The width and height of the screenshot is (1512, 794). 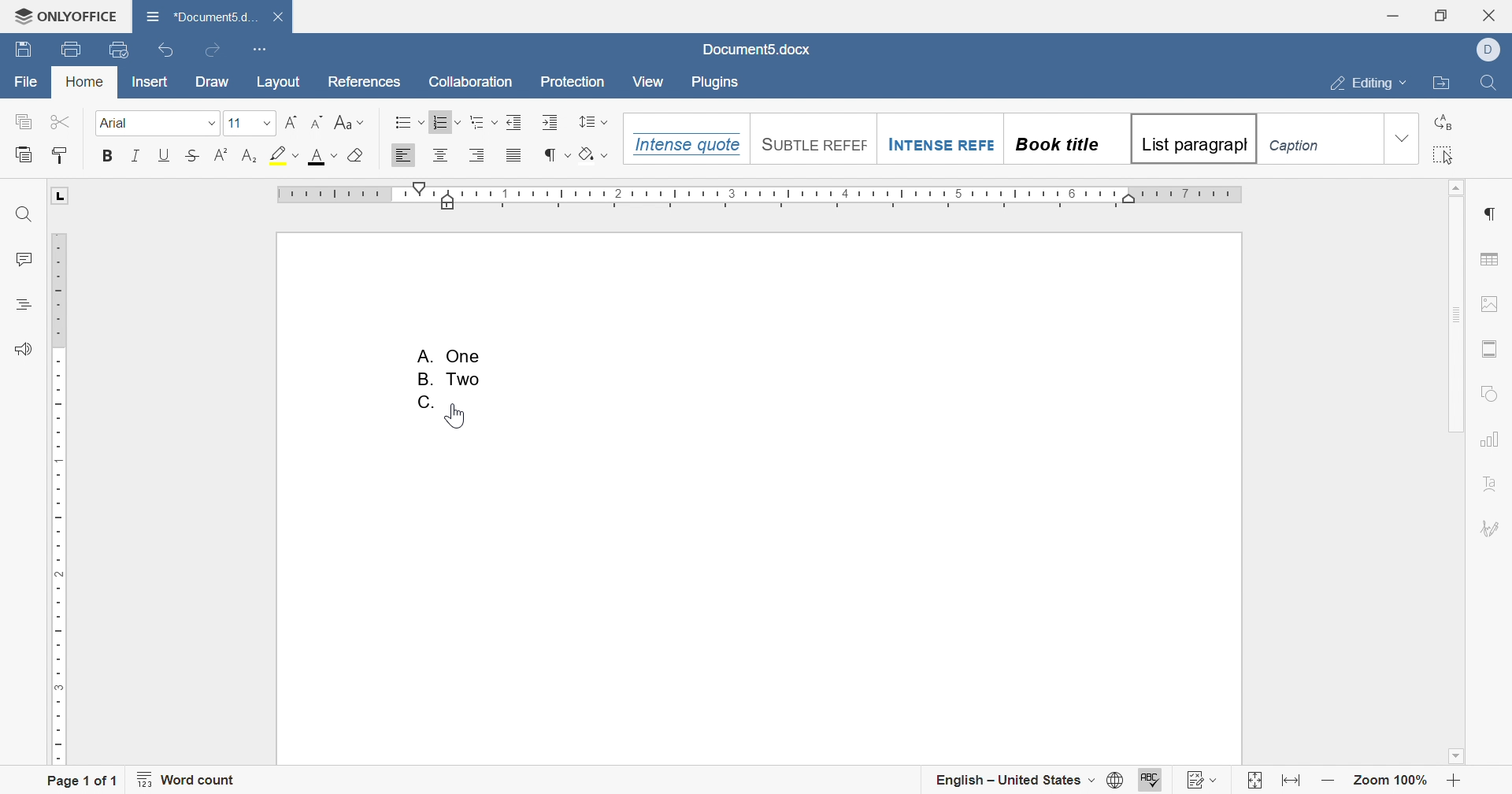 I want to click on redo, so click(x=212, y=51).